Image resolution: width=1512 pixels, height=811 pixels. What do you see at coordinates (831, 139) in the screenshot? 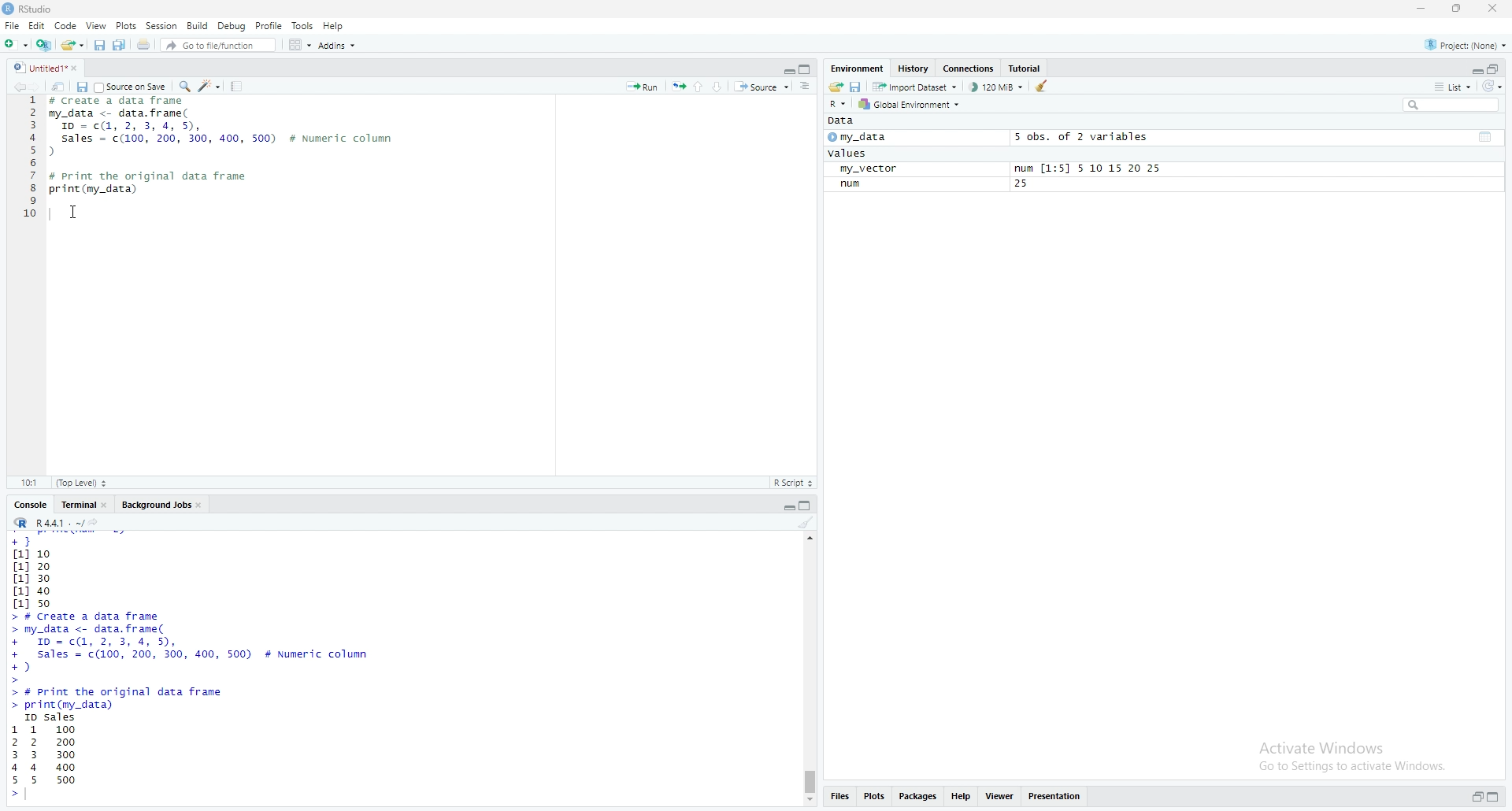
I see `play` at bounding box center [831, 139].